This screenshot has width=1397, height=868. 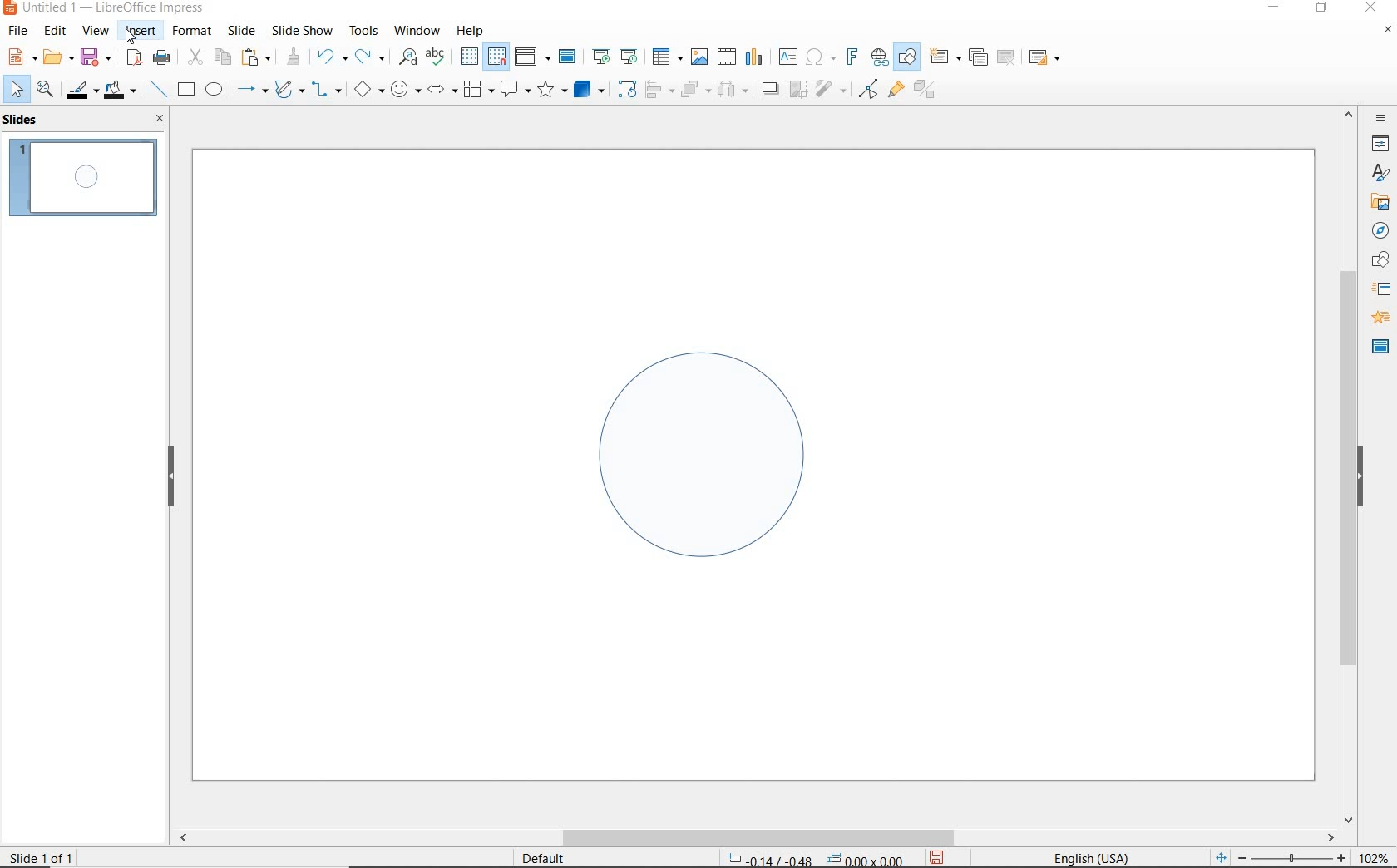 I want to click on ellipse, so click(x=214, y=91).